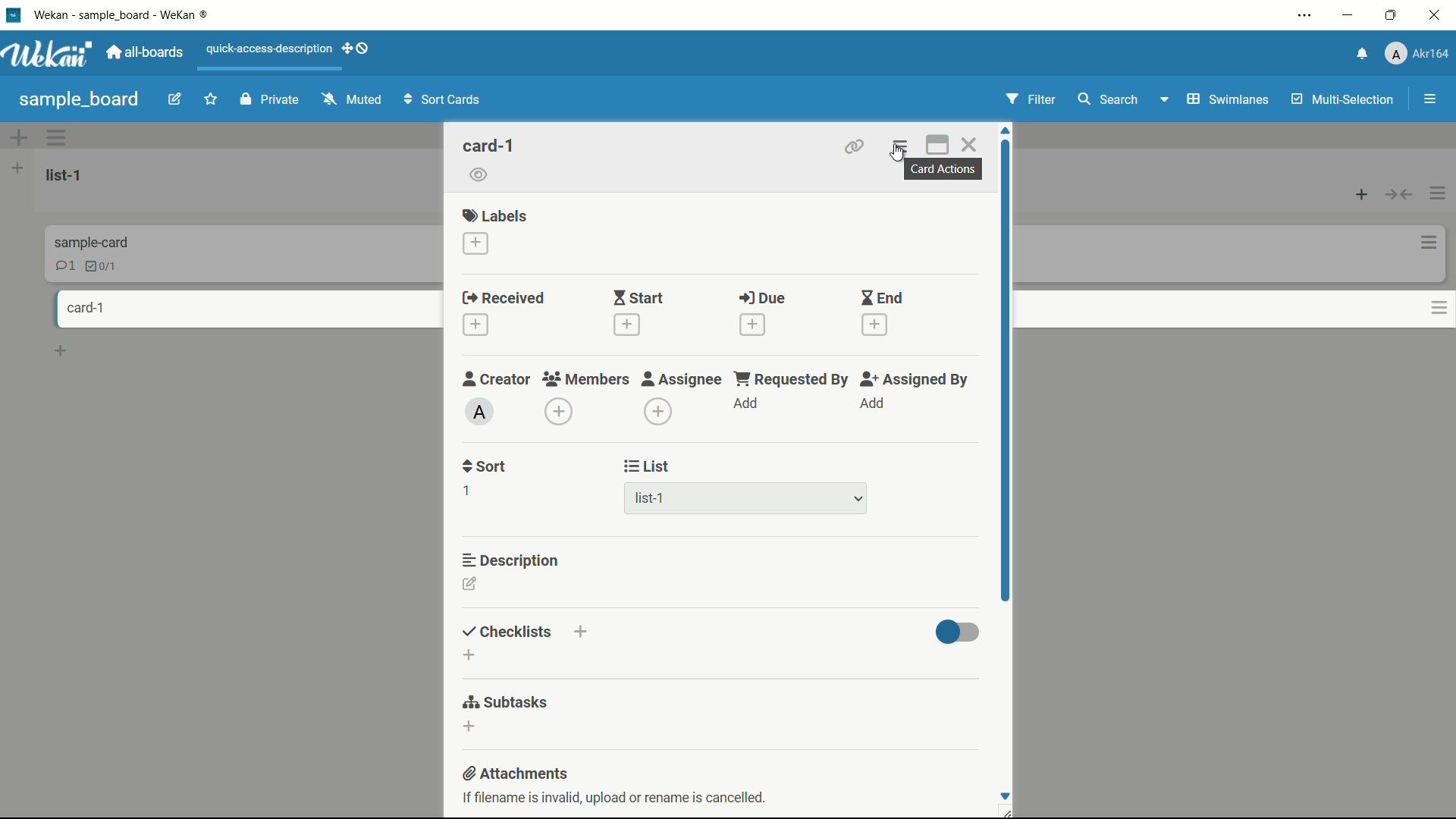 This screenshot has width=1456, height=819. What do you see at coordinates (469, 584) in the screenshot?
I see `edit description` at bounding box center [469, 584].